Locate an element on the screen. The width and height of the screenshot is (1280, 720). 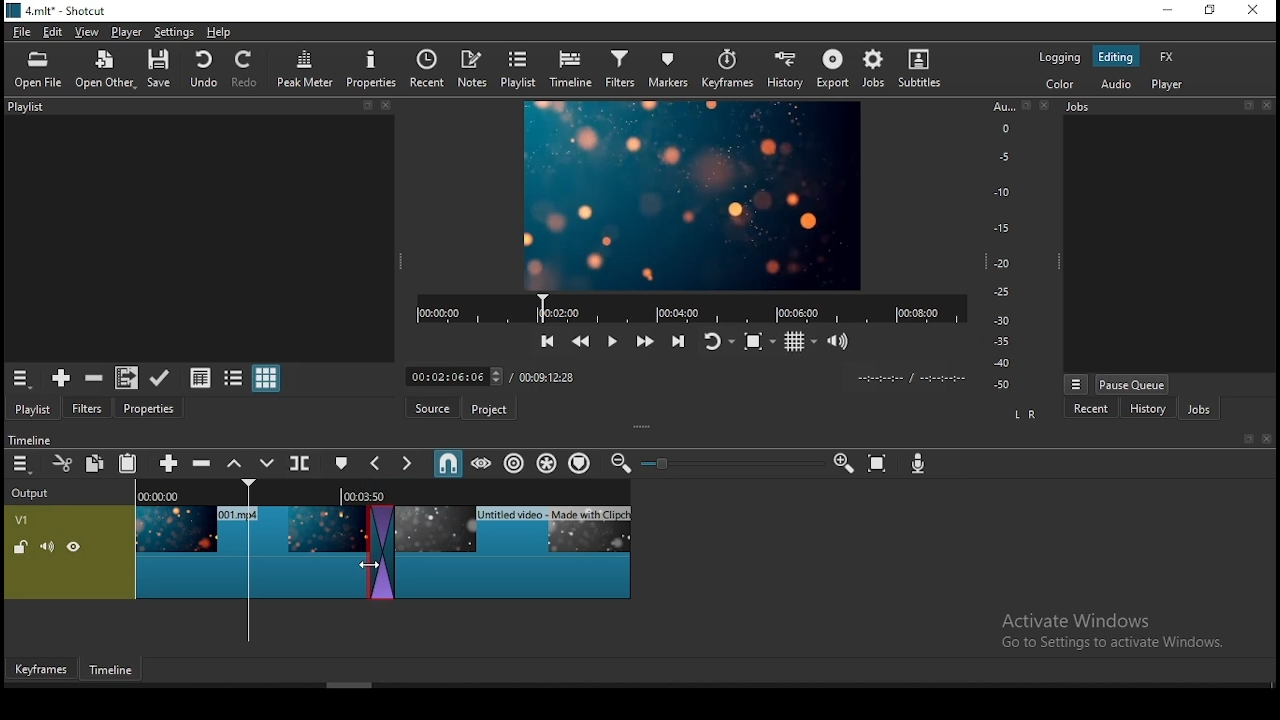
pause queue is located at coordinates (1132, 385).